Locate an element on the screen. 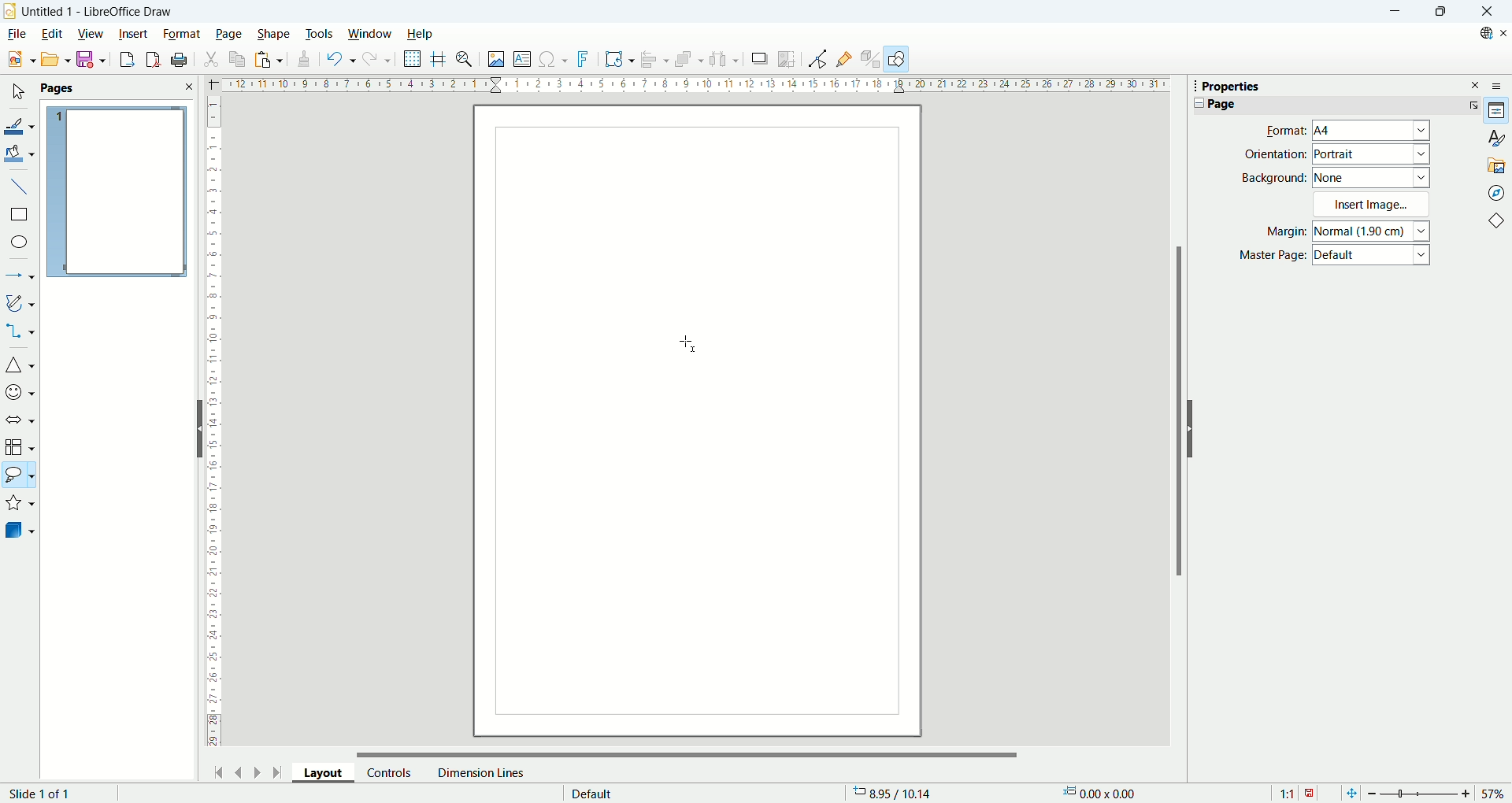 This screenshot has width=1512, height=803. Insert Image is located at coordinates (1373, 204).